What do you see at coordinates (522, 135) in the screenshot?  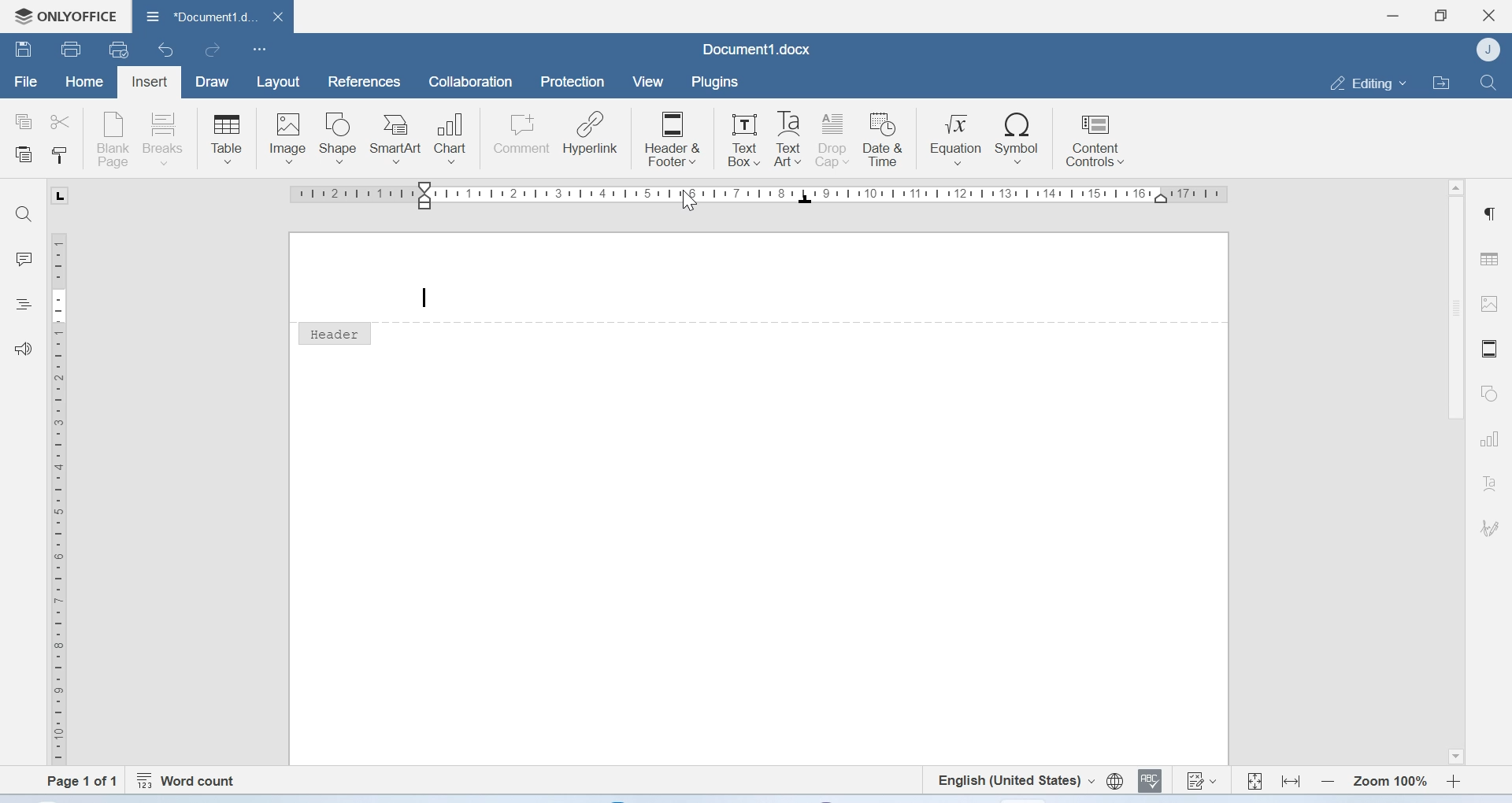 I see `Comment` at bounding box center [522, 135].